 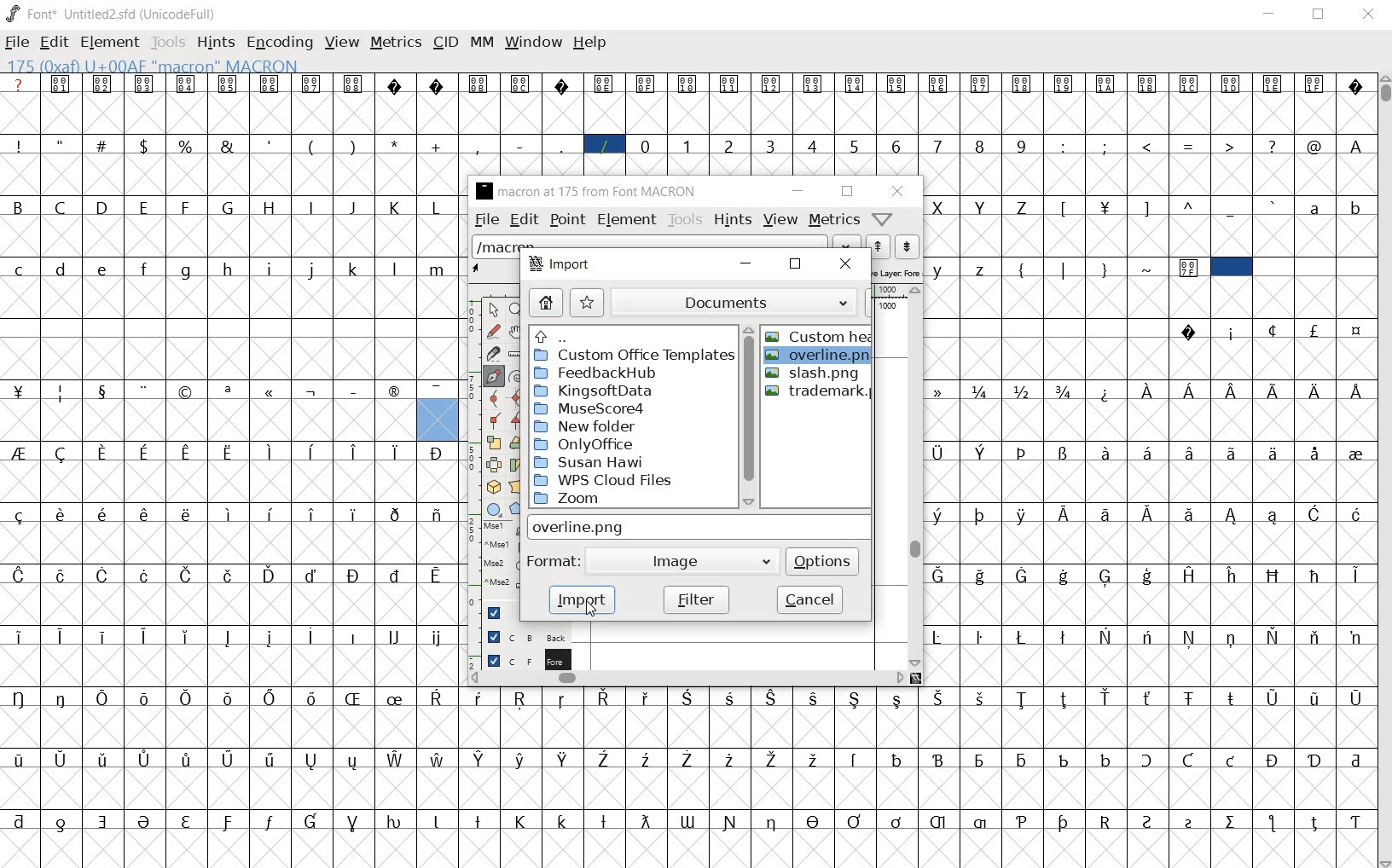 I want to click on 1000, so click(x=887, y=307).